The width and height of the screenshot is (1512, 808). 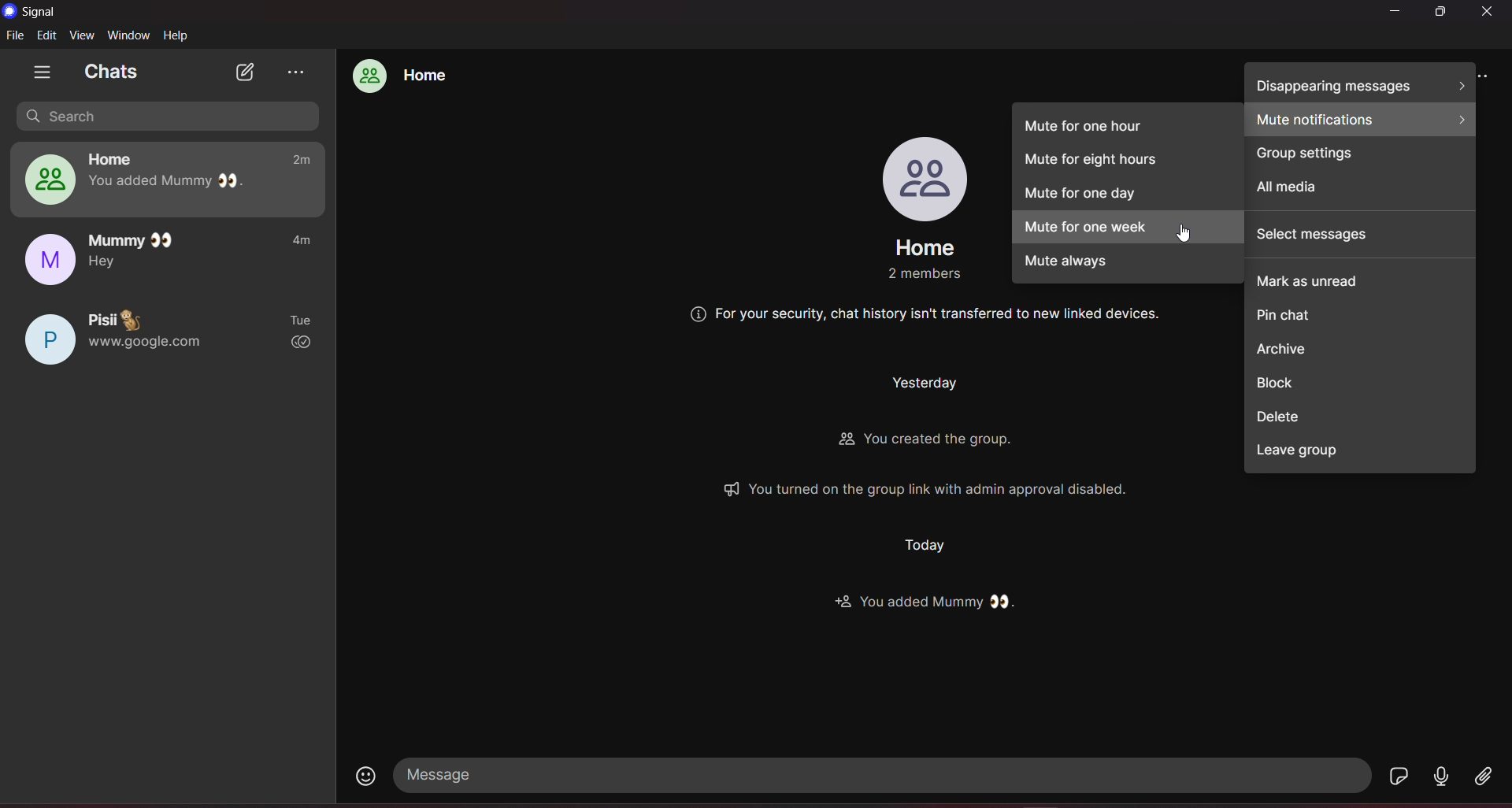 What do you see at coordinates (1126, 229) in the screenshot?
I see `mute for one week` at bounding box center [1126, 229].